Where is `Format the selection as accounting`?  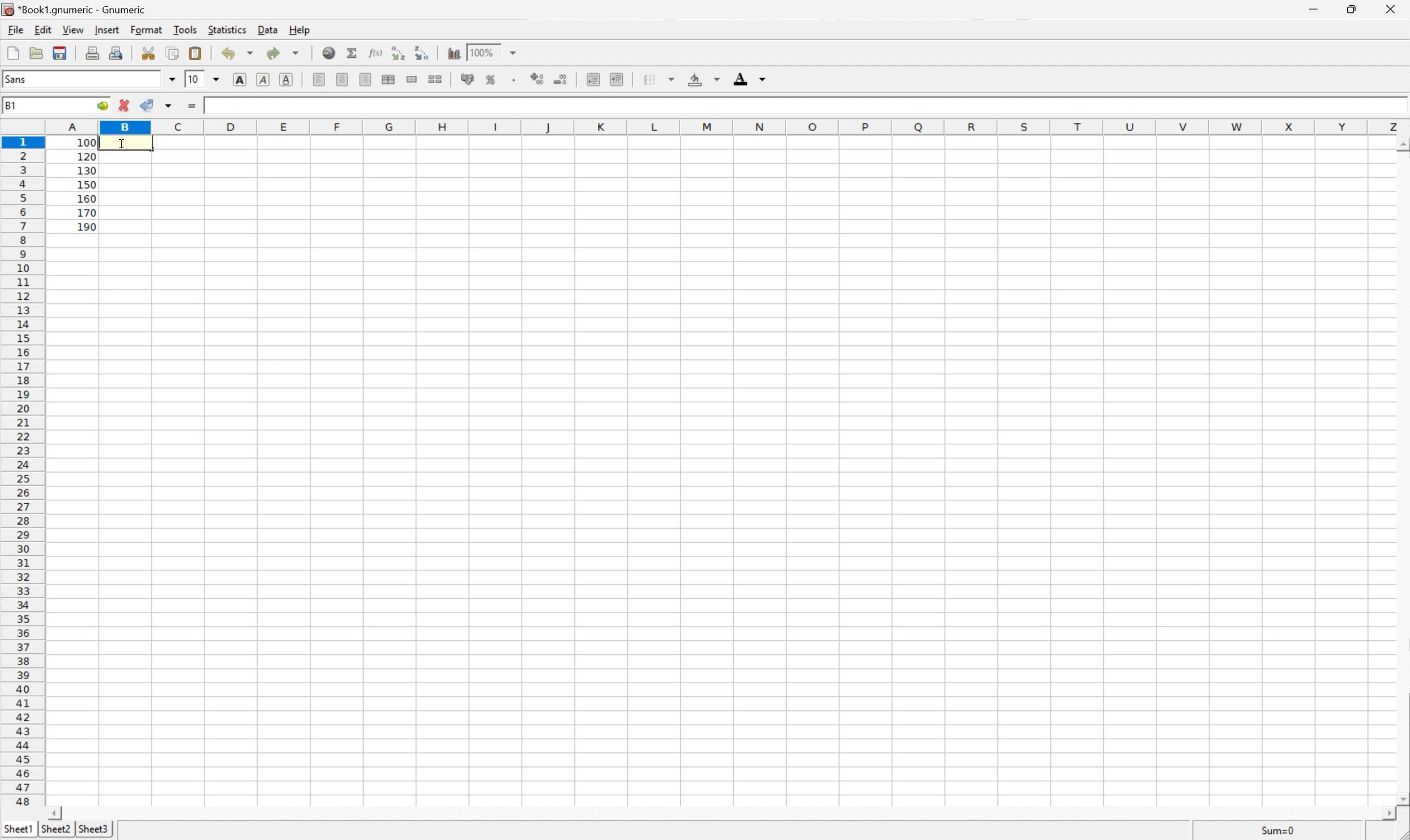 Format the selection as accounting is located at coordinates (470, 79).